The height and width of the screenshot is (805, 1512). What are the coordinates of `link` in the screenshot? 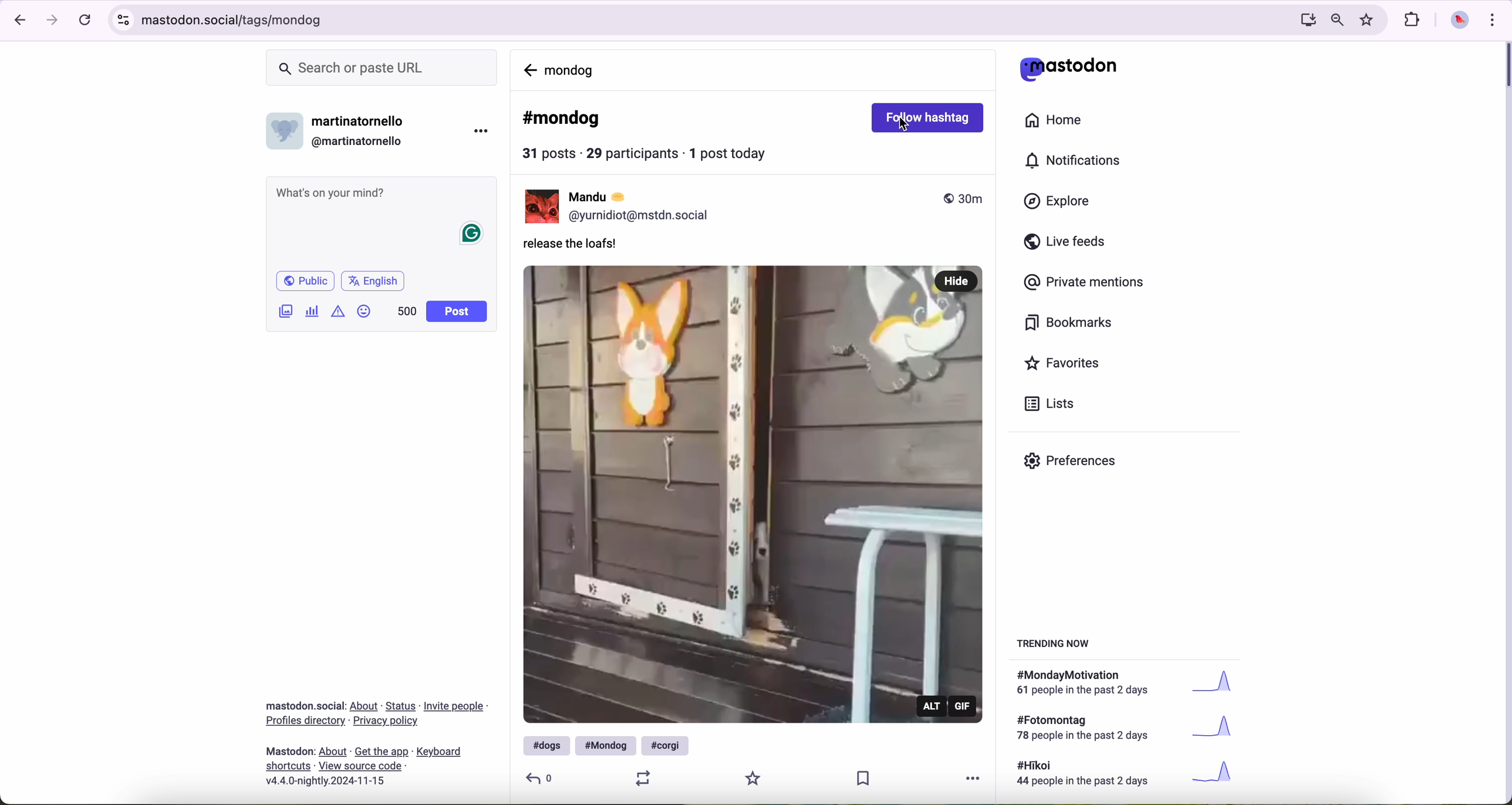 It's located at (382, 753).